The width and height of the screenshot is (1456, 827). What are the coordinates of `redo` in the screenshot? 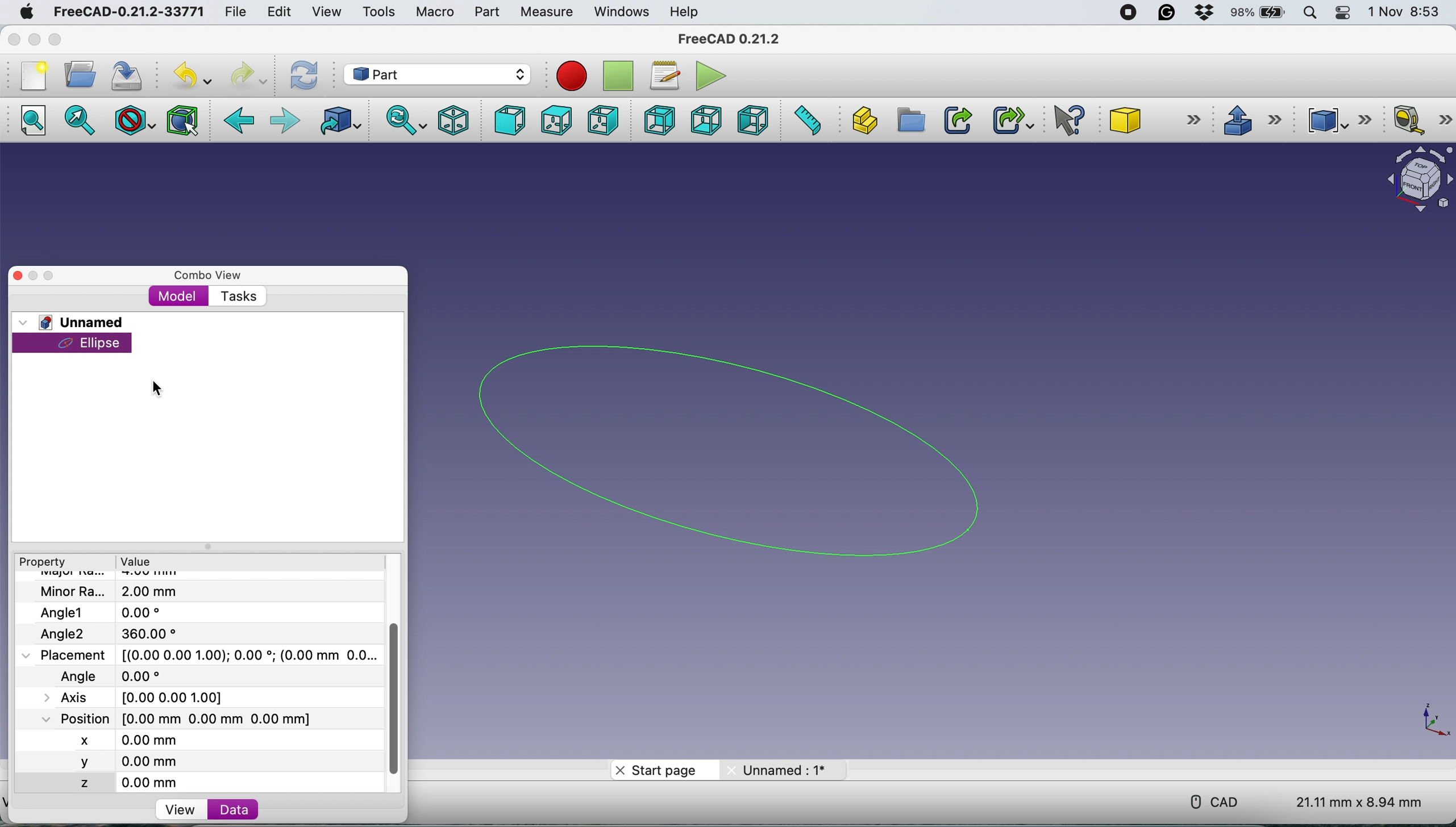 It's located at (251, 74).